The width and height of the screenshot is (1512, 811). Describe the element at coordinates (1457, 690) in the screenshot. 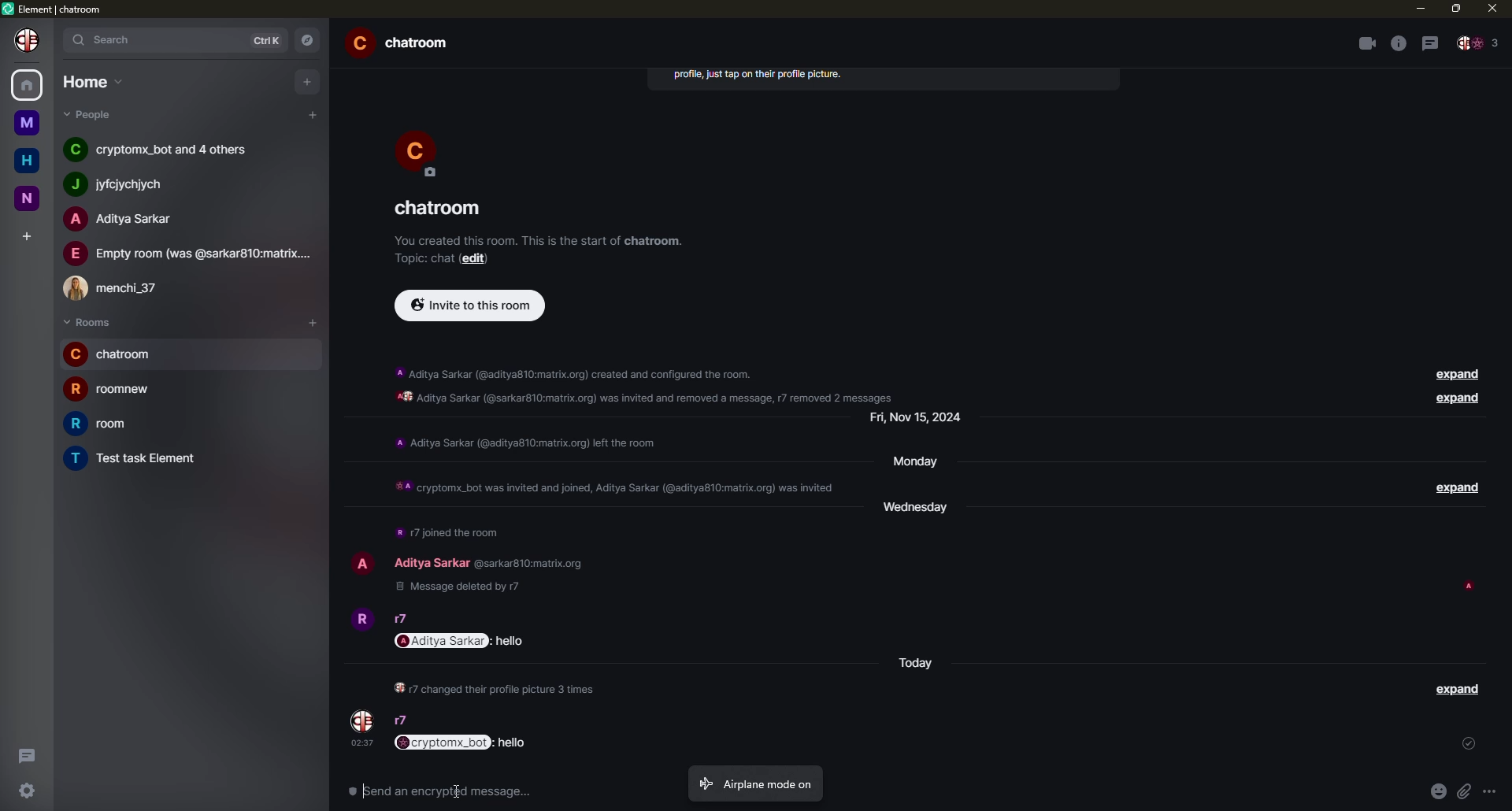

I see `expand` at that location.